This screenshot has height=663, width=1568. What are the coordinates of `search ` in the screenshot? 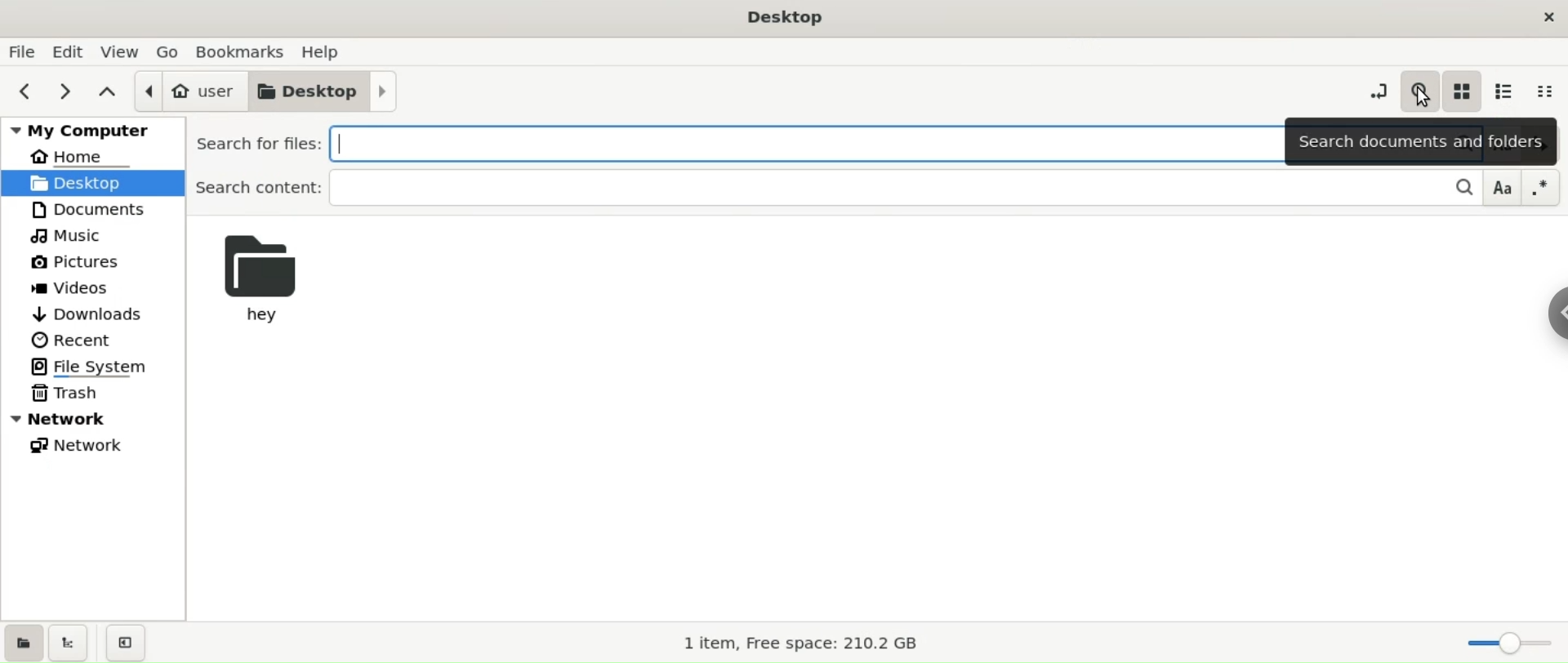 It's located at (1418, 88).